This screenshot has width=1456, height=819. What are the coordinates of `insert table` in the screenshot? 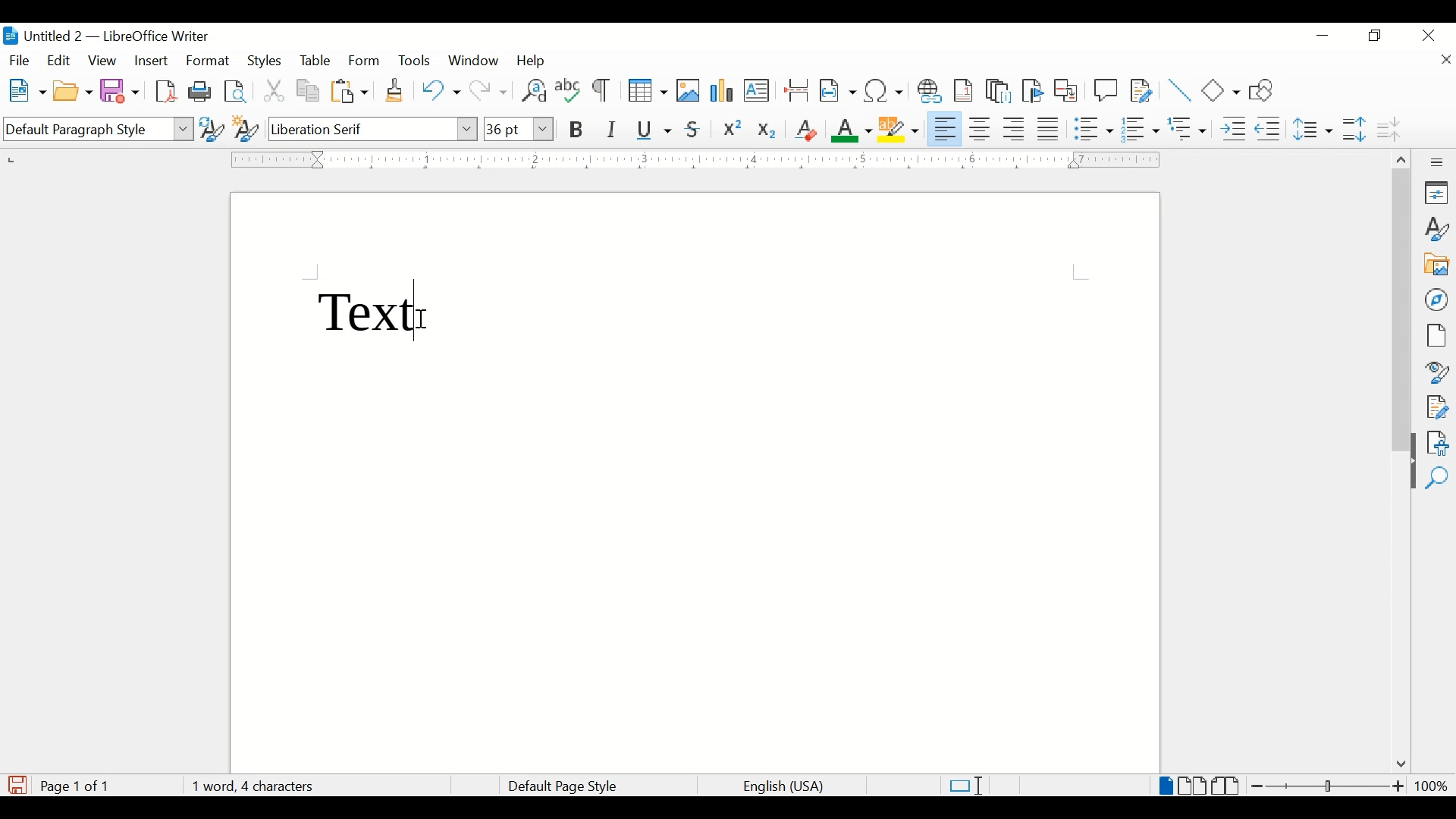 It's located at (648, 90).